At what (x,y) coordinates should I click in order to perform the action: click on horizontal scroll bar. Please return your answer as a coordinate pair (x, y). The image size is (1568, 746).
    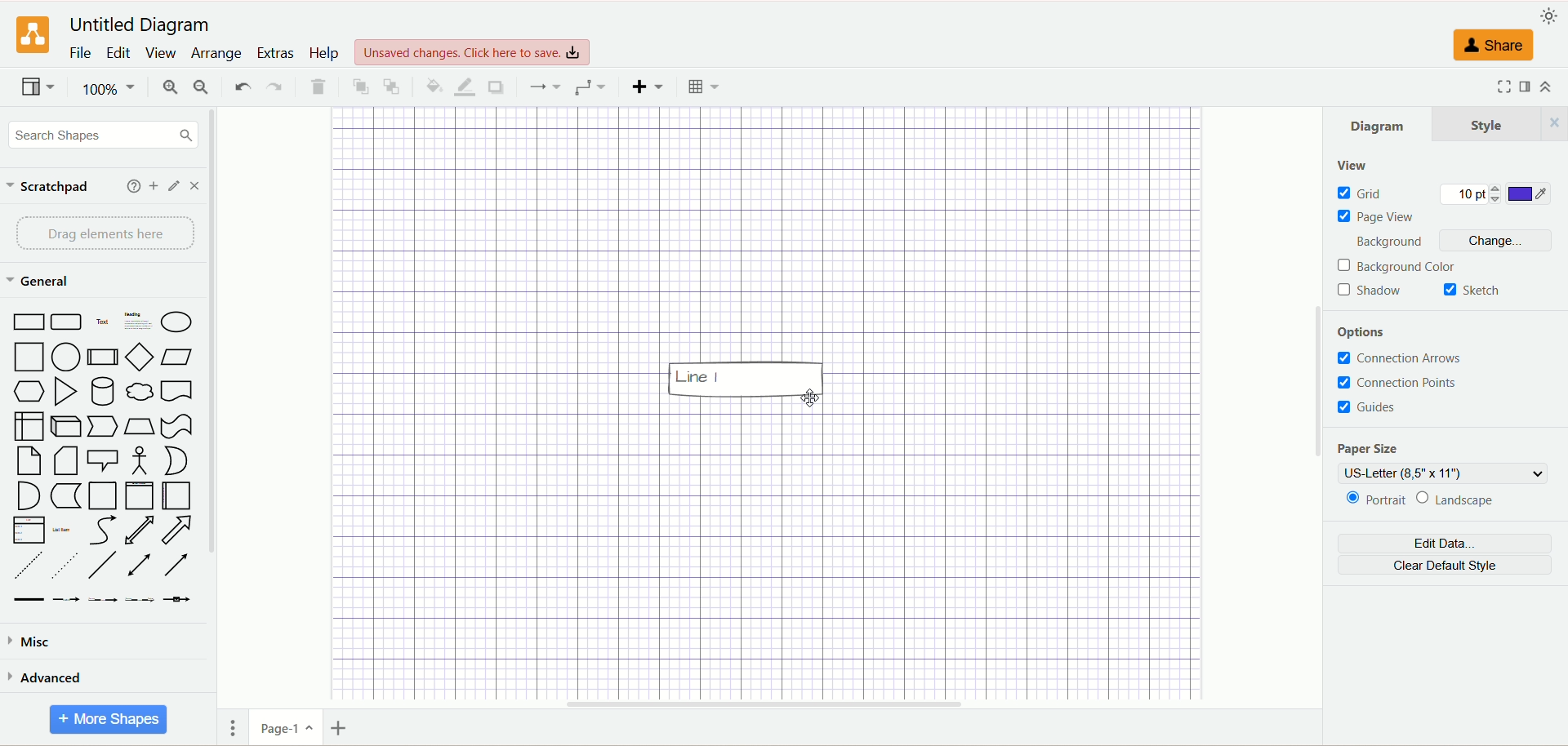
    Looking at the image, I should click on (751, 705).